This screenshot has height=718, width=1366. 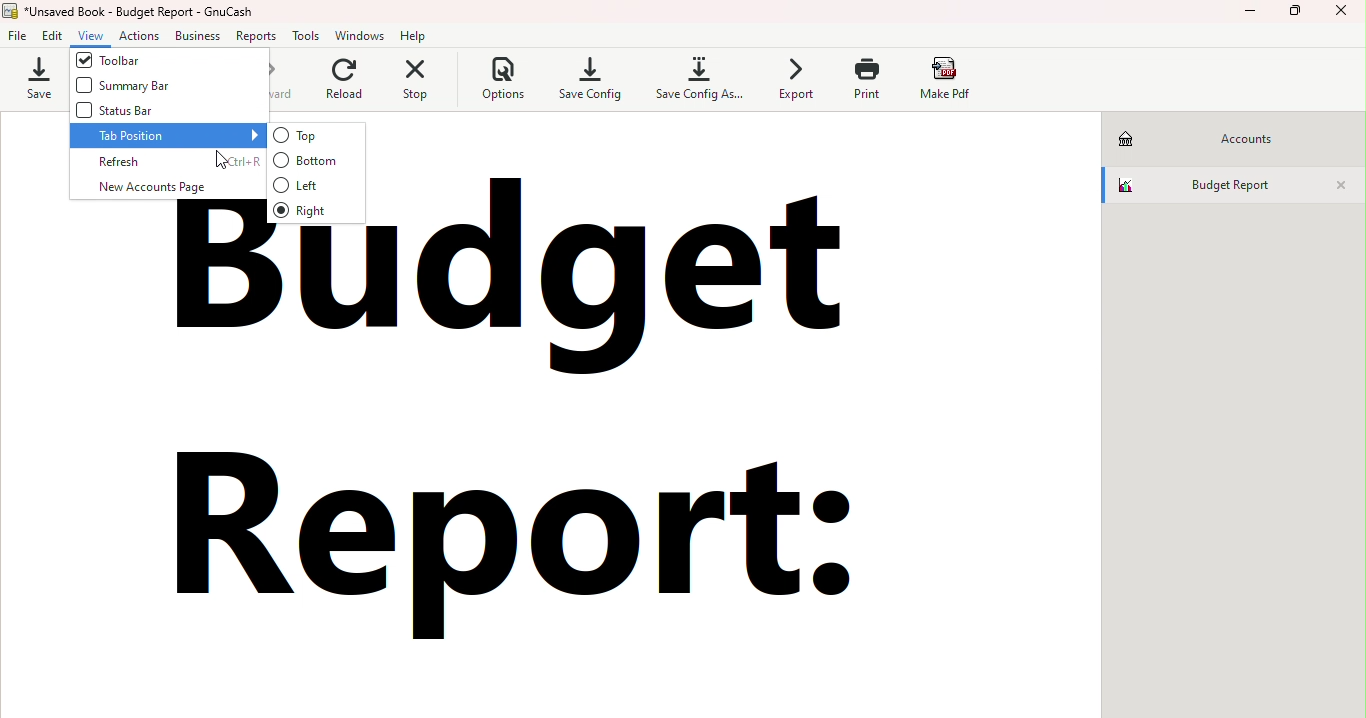 What do you see at coordinates (199, 35) in the screenshot?
I see `Business` at bounding box center [199, 35].